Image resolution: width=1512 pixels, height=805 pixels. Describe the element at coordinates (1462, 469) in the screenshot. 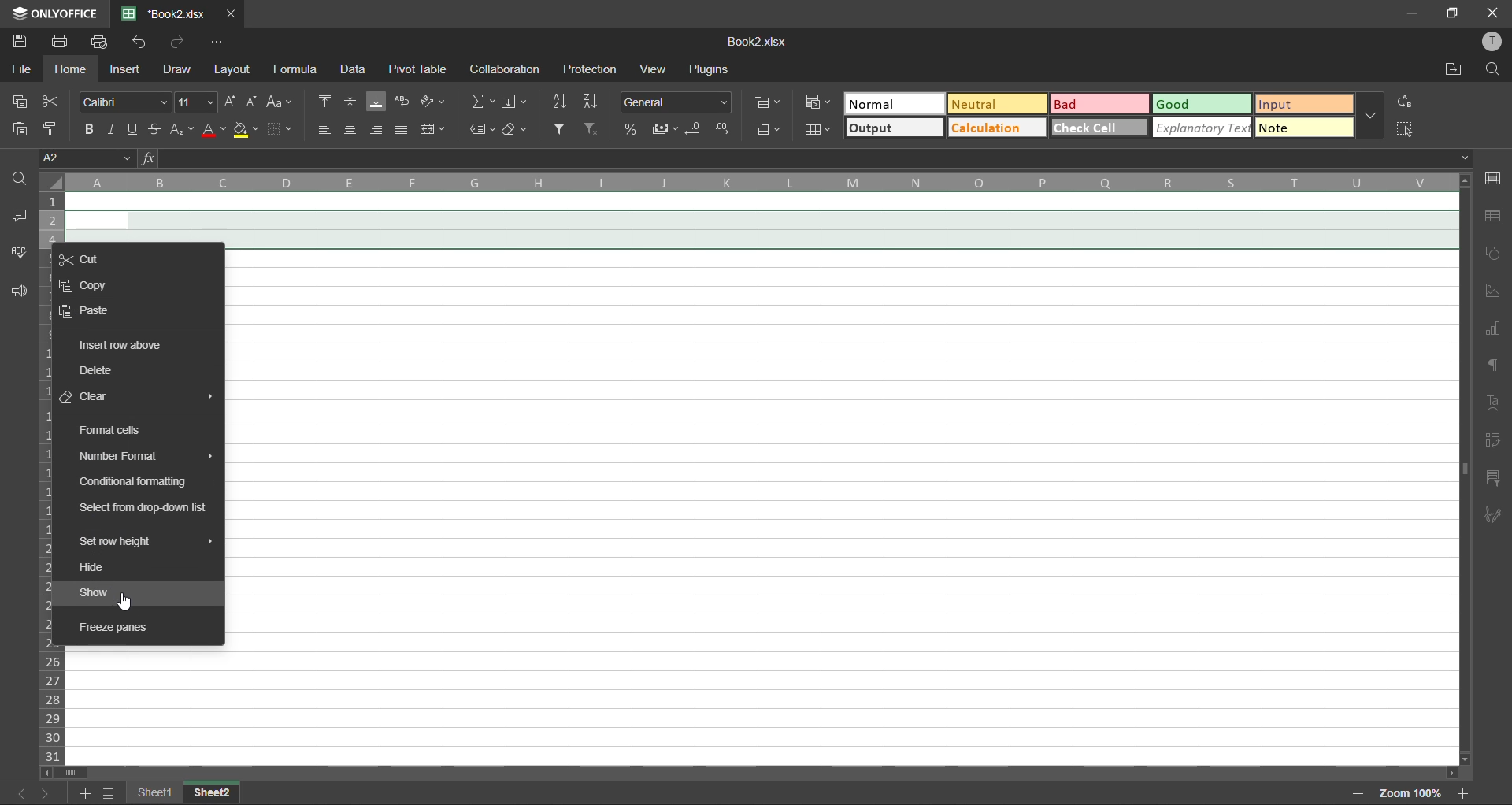

I see `vertical scroll barr` at that location.